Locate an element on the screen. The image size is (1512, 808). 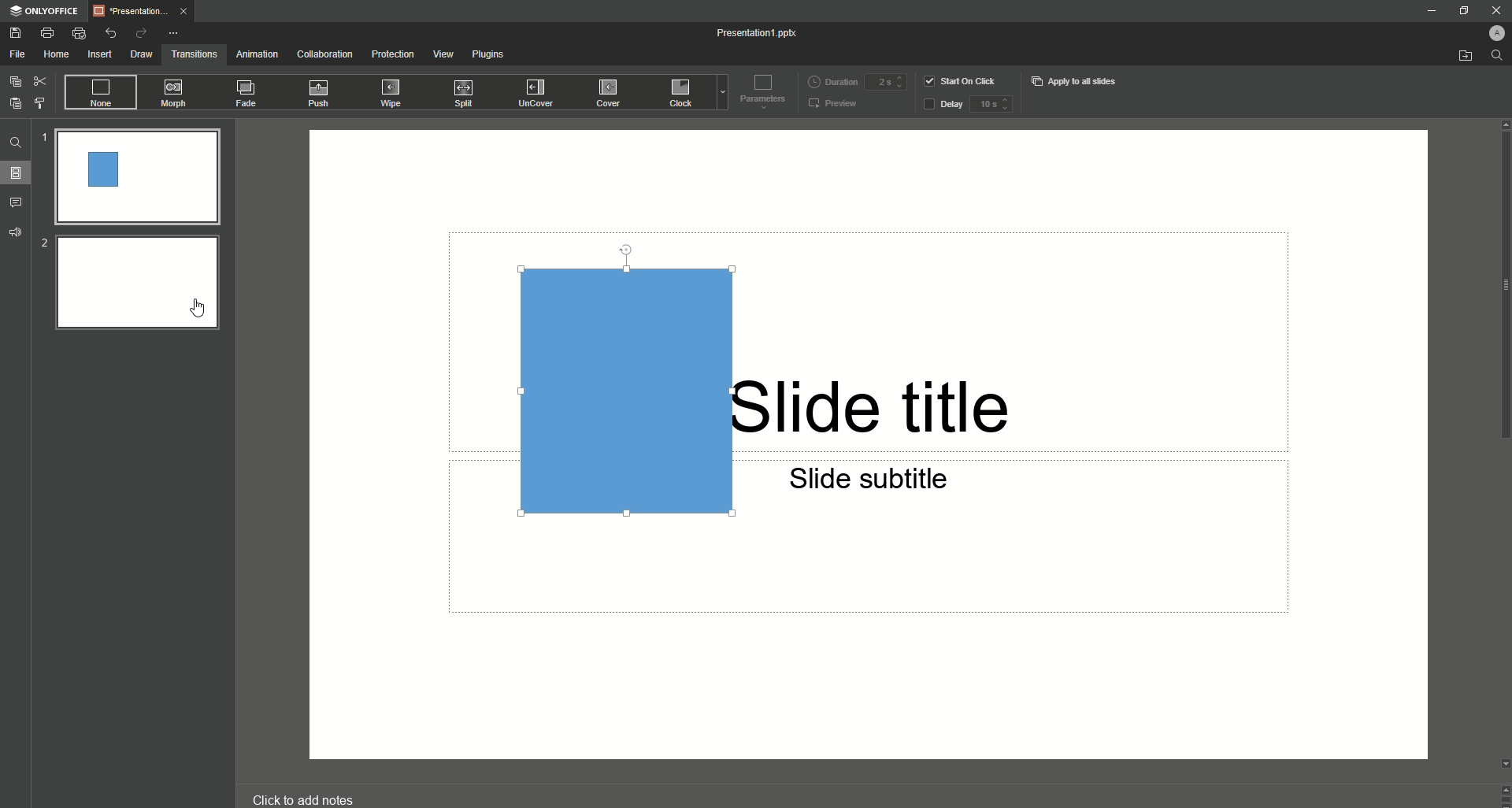
Paste is located at coordinates (15, 103).